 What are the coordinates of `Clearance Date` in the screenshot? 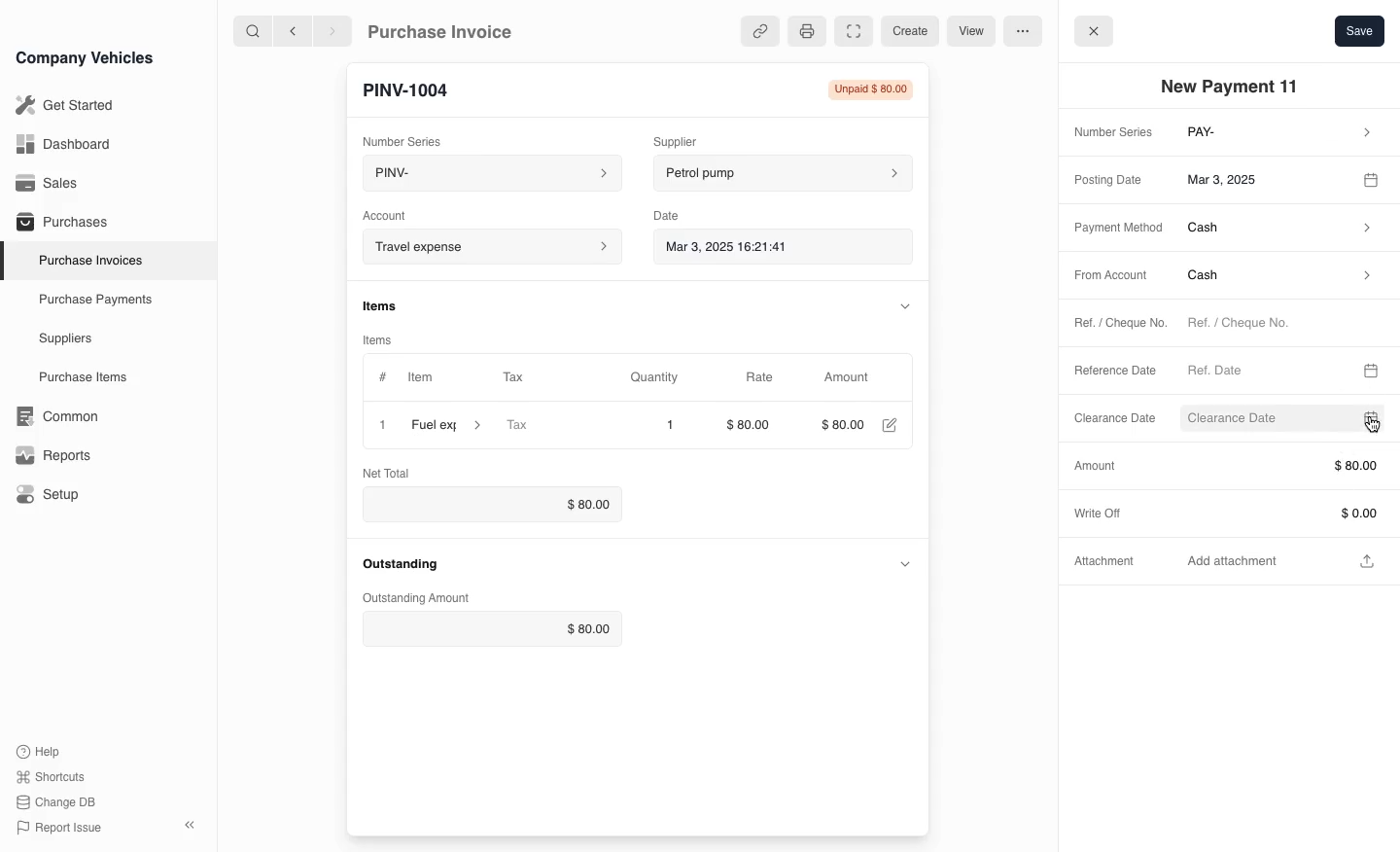 It's located at (1255, 419).